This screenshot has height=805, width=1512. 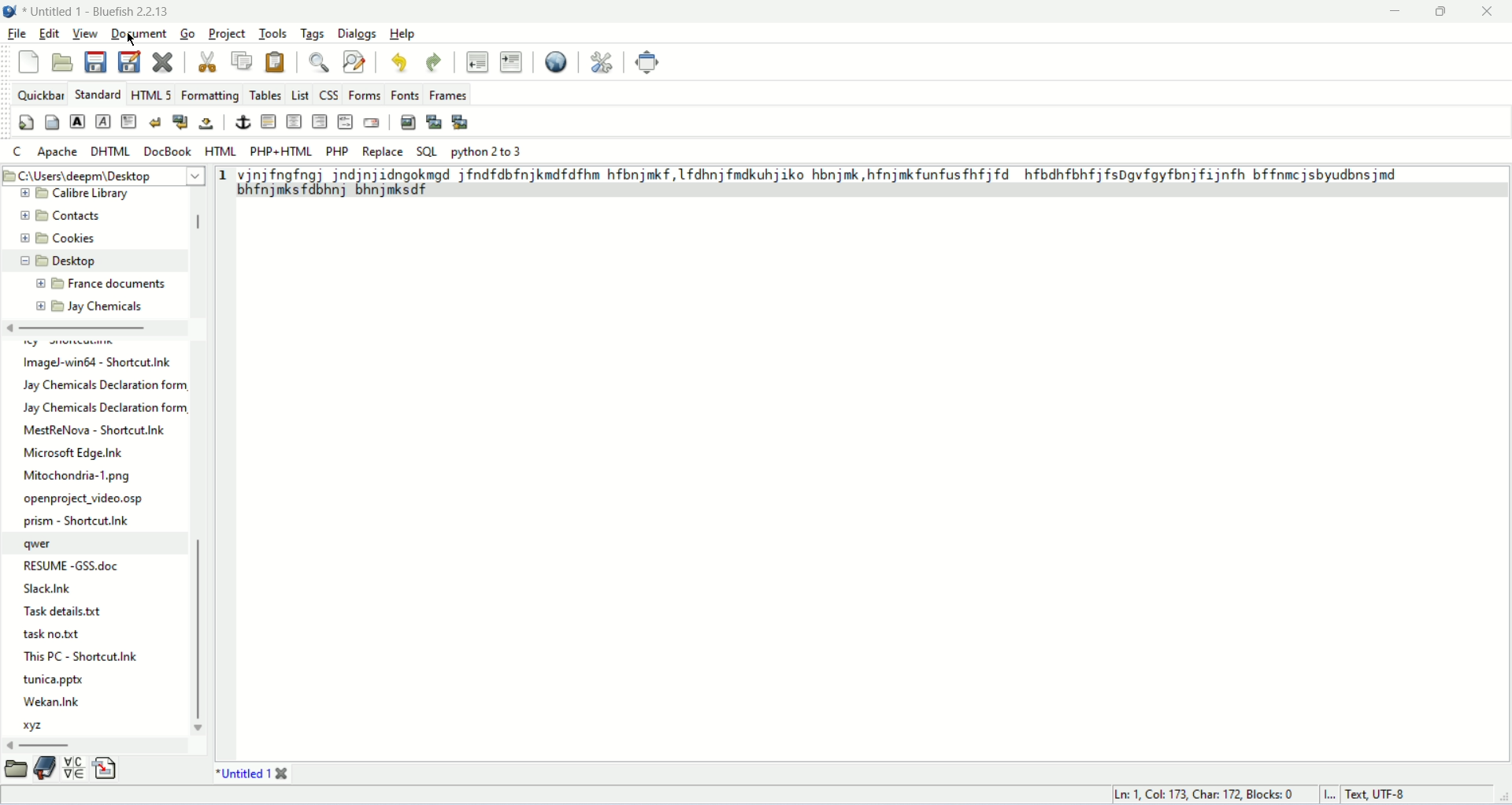 What do you see at coordinates (128, 61) in the screenshot?
I see `save as` at bounding box center [128, 61].